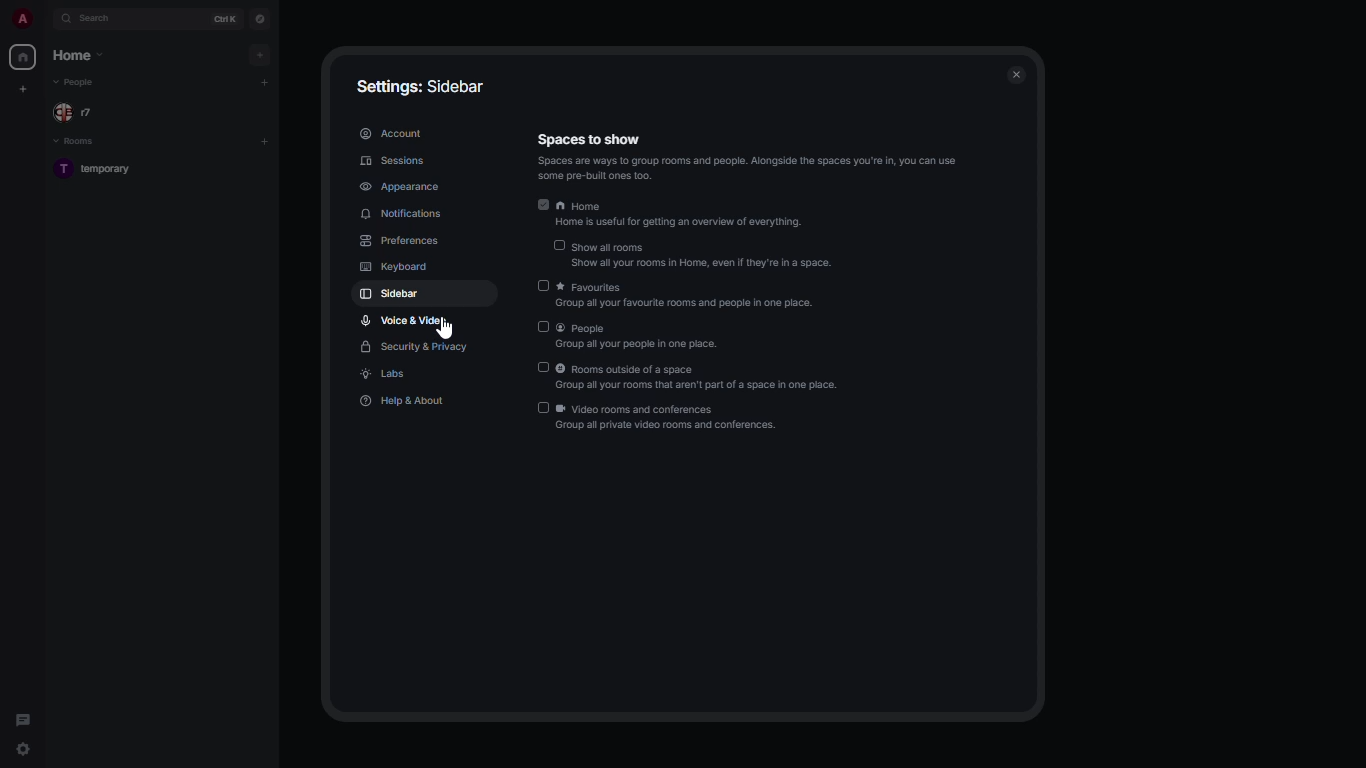  Describe the element at coordinates (227, 18) in the screenshot. I see `ctrl K` at that location.